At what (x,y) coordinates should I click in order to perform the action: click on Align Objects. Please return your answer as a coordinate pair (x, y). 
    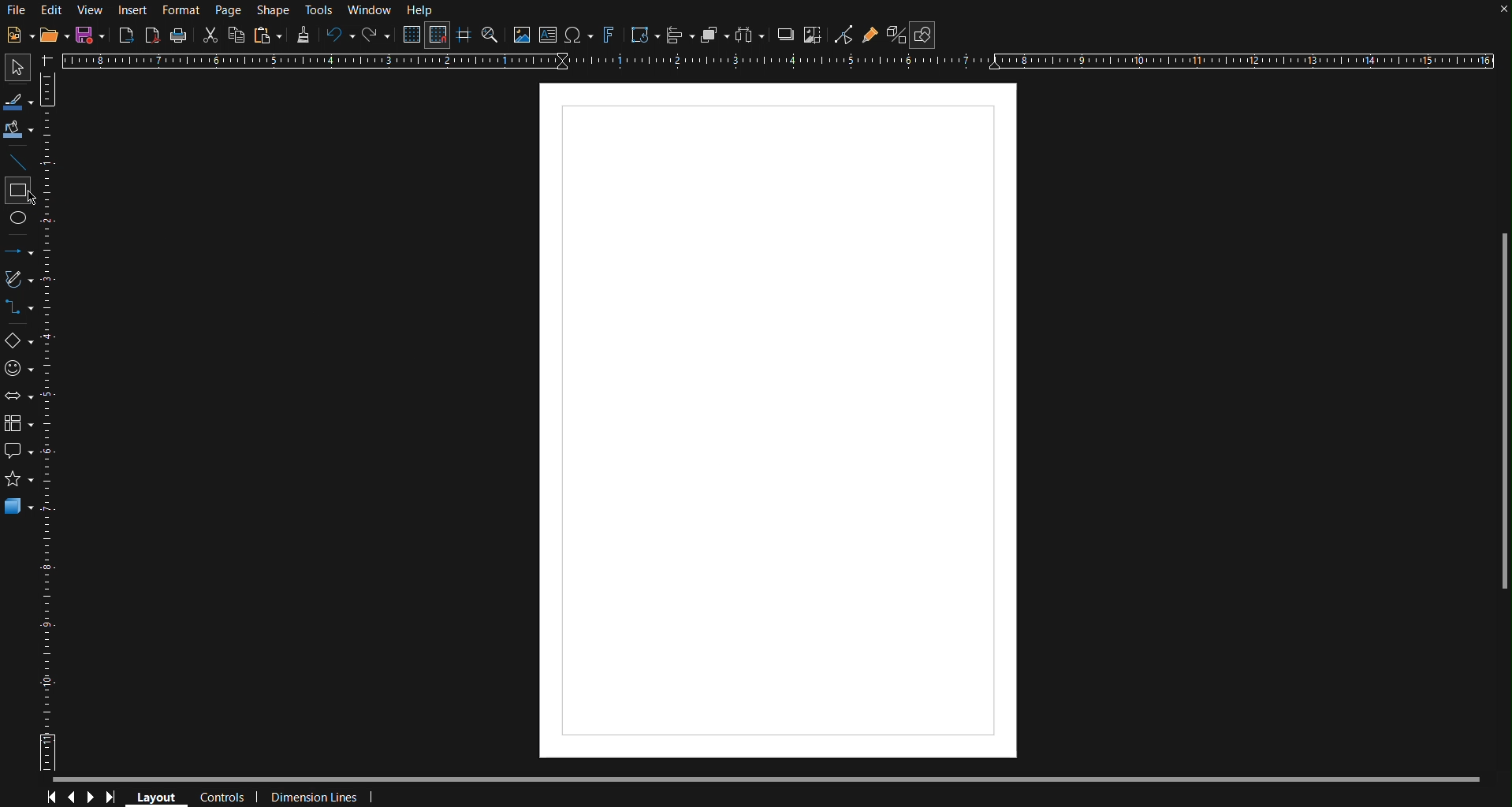
    Looking at the image, I should click on (680, 35).